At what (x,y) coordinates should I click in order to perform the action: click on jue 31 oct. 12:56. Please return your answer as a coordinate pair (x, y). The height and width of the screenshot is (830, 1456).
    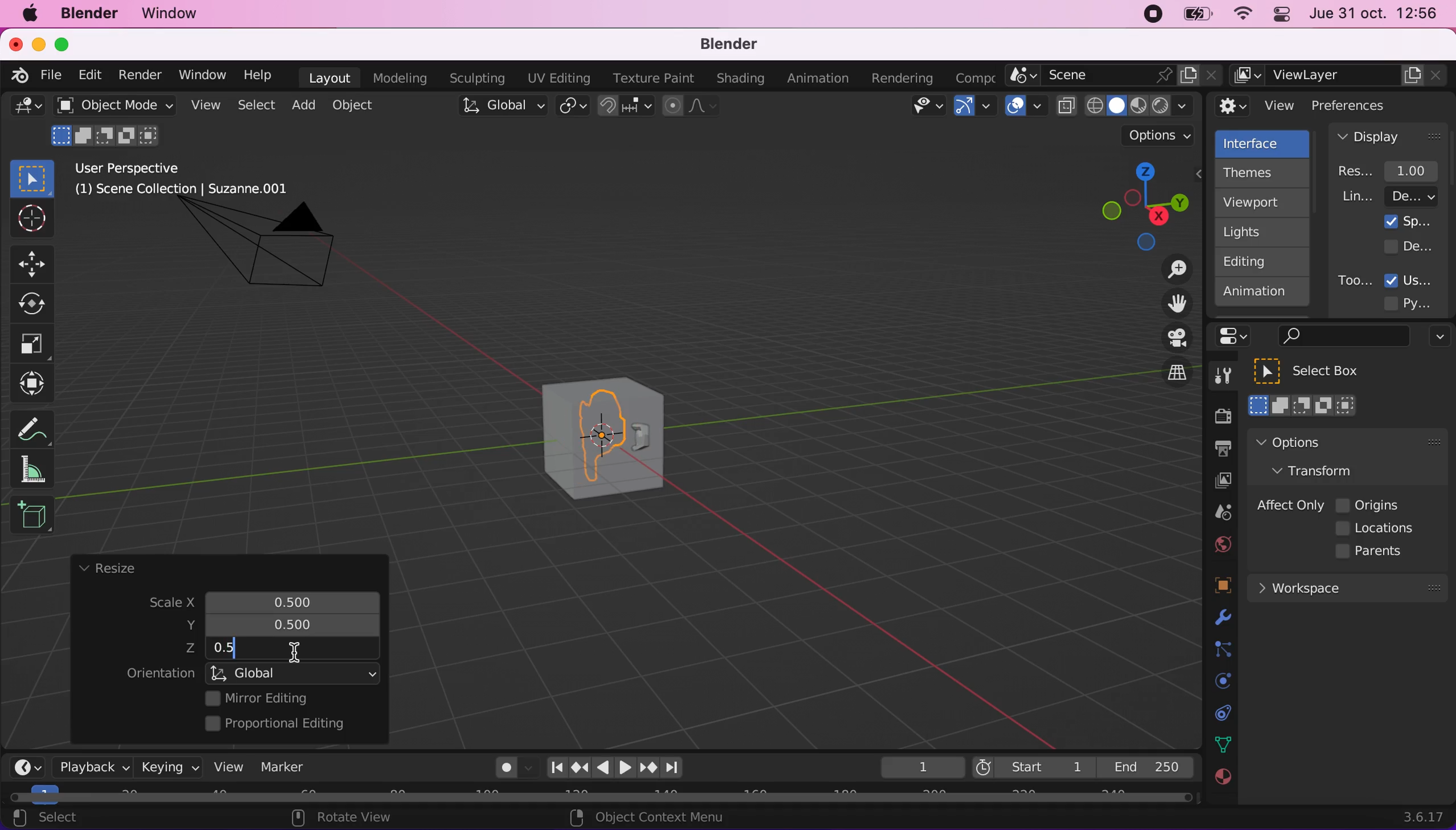
    Looking at the image, I should click on (1374, 14).